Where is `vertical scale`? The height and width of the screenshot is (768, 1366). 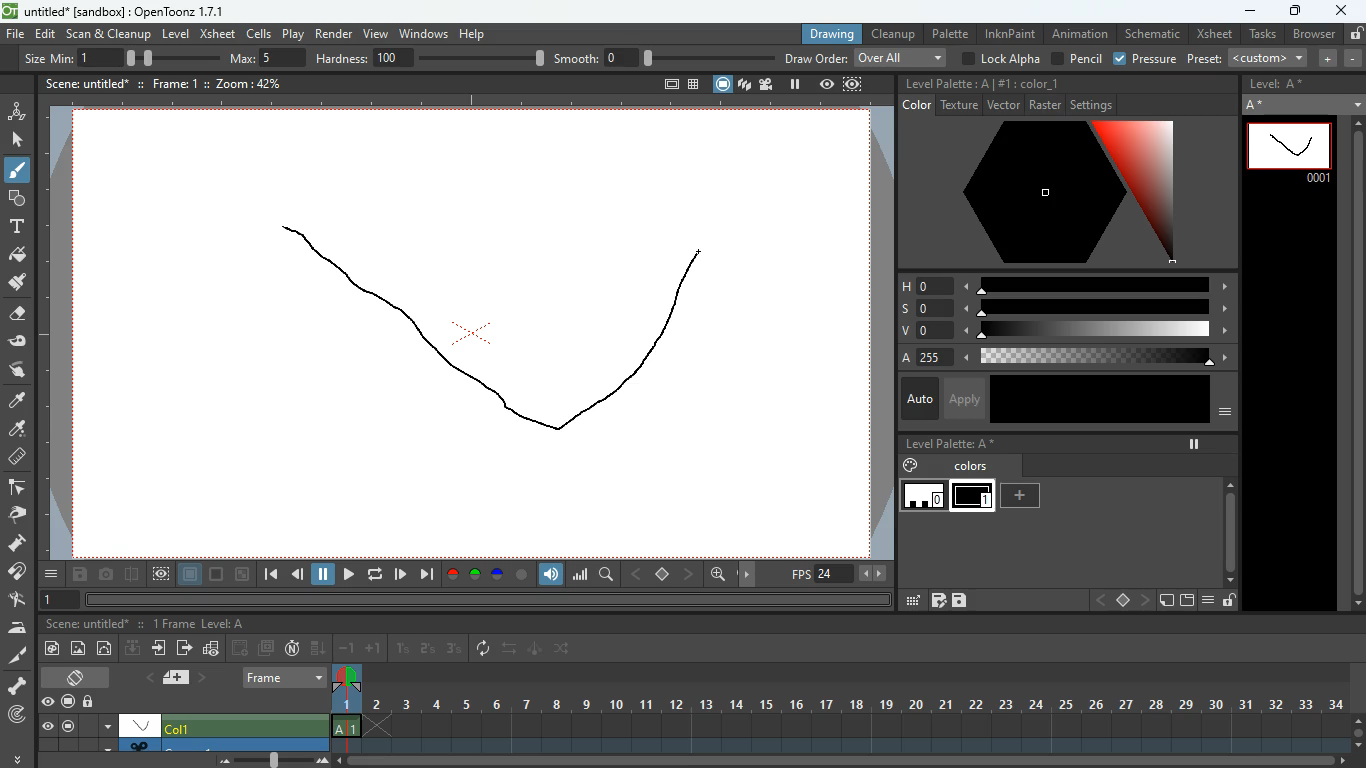
vertical scale is located at coordinates (57, 338).